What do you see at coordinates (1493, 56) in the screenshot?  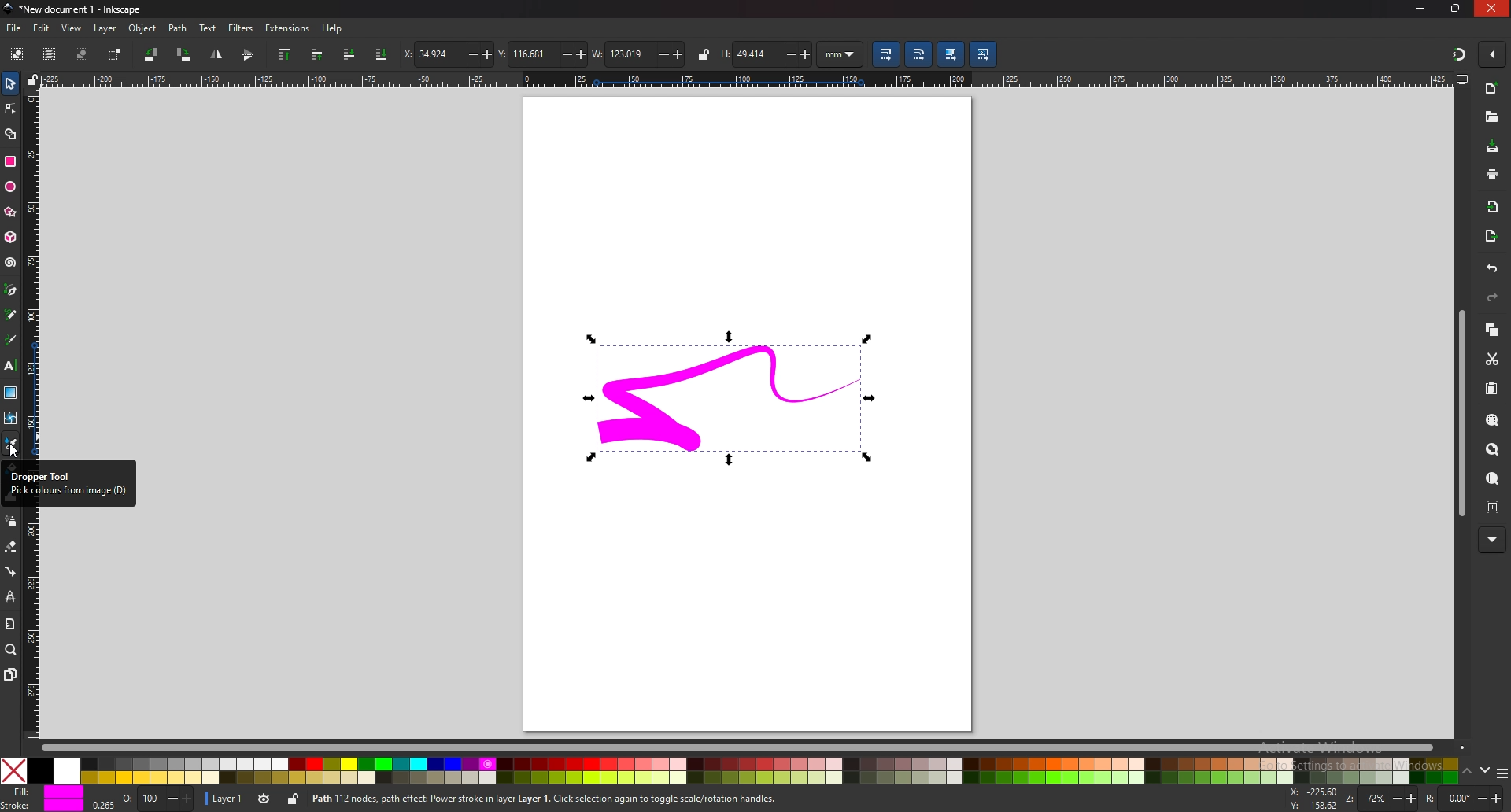 I see `enable snapping` at bounding box center [1493, 56].